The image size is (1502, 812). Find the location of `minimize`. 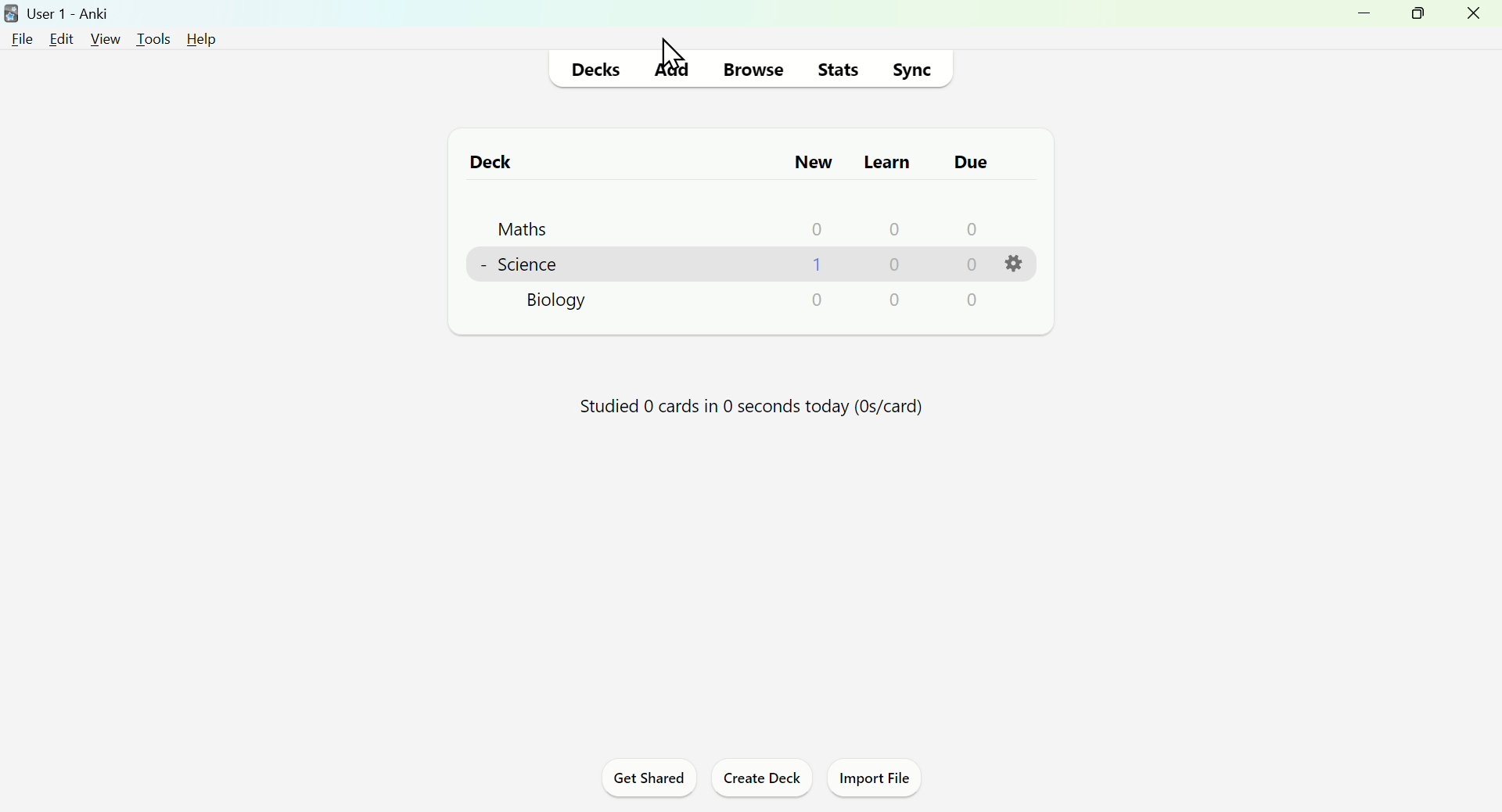

minimize is located at coordinates (1367, 16).